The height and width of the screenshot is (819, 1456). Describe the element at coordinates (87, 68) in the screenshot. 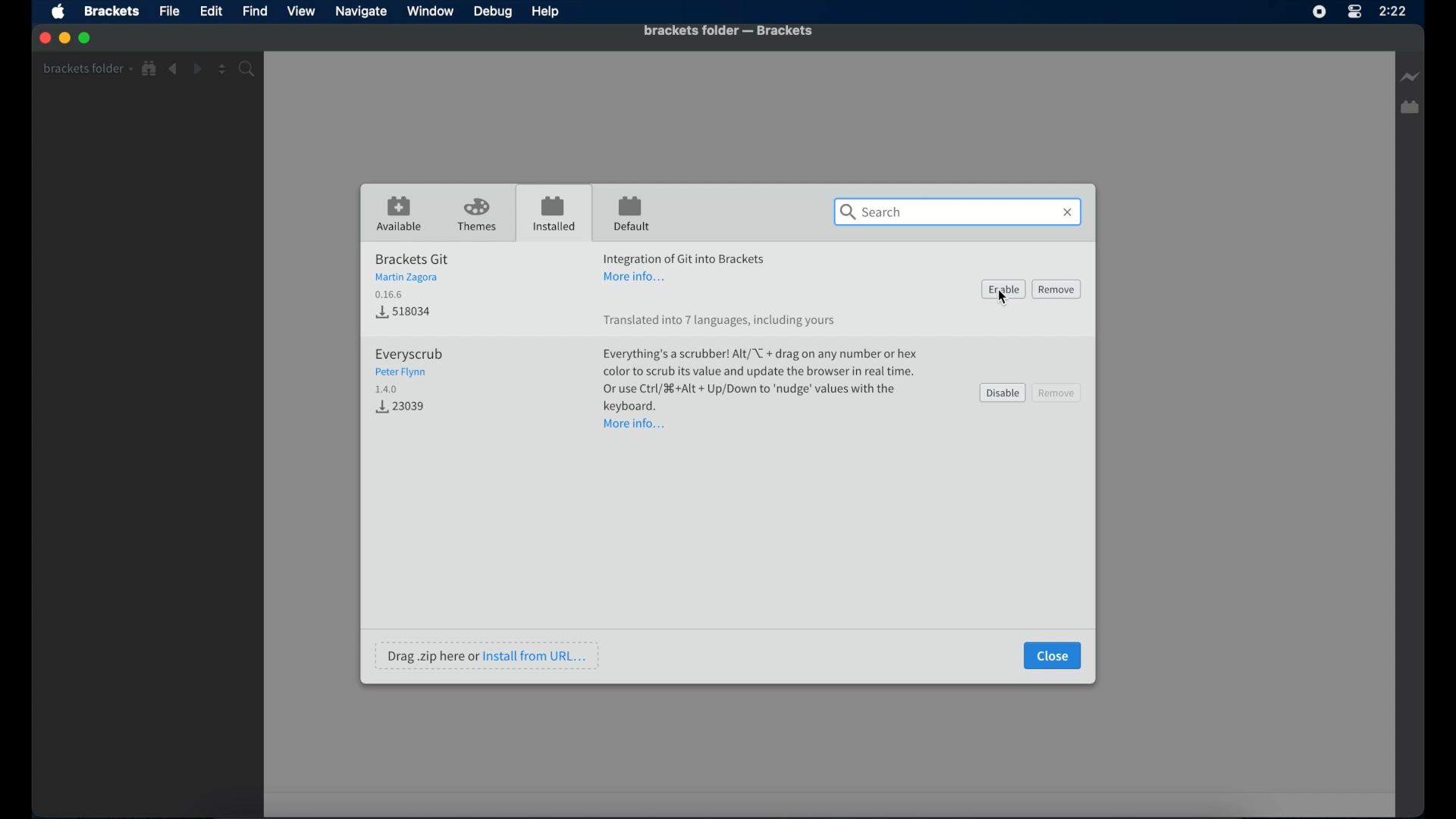

I see `brackets folder` at that location.